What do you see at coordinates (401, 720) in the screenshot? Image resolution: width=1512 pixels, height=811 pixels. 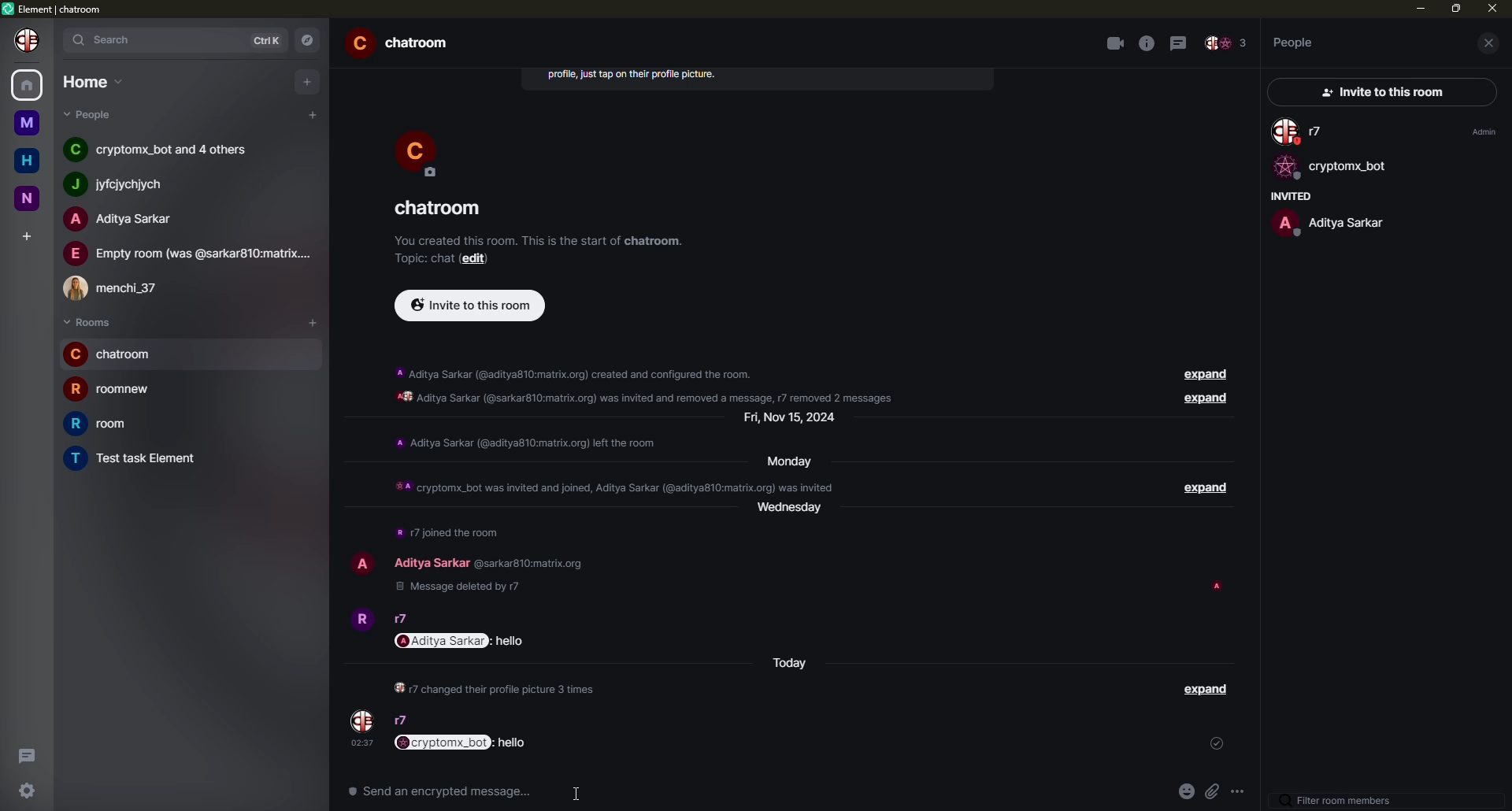 I see `people` at bounding box center [401, 720].